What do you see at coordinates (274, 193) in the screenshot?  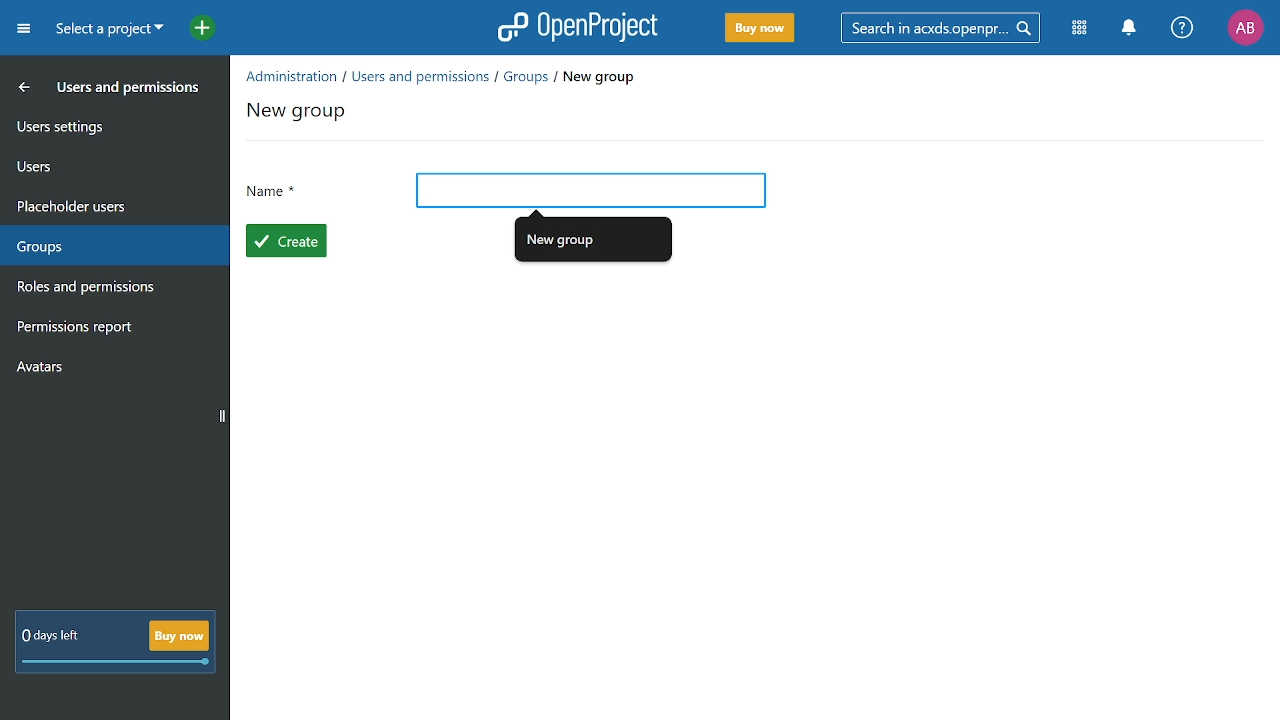 I see `Name *` at bounding box center [274, 193].